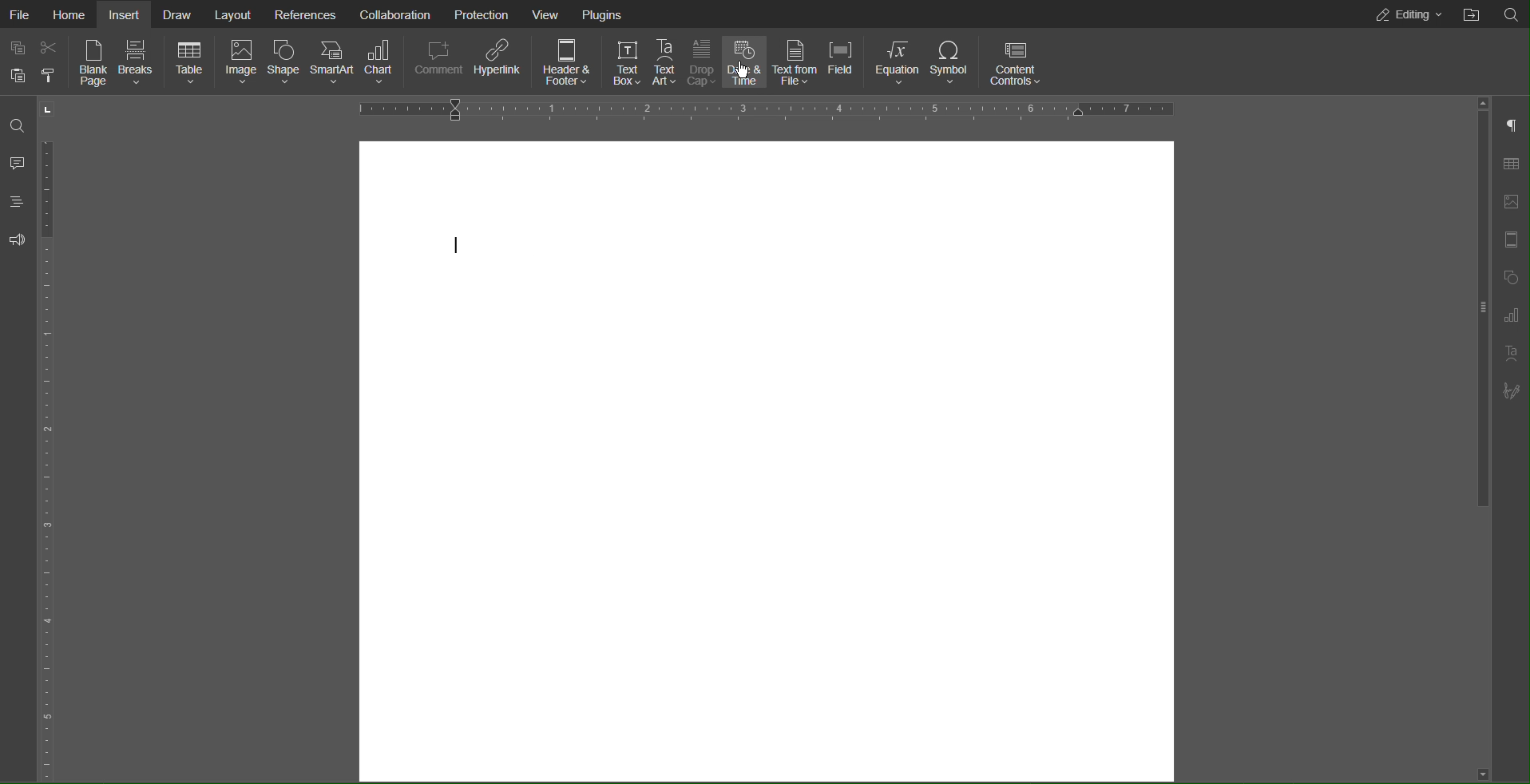 The image size is (1530, 784). Describe the element at coordinates (1511, 202) in the screenshot. I see `Image Settings` at that location.